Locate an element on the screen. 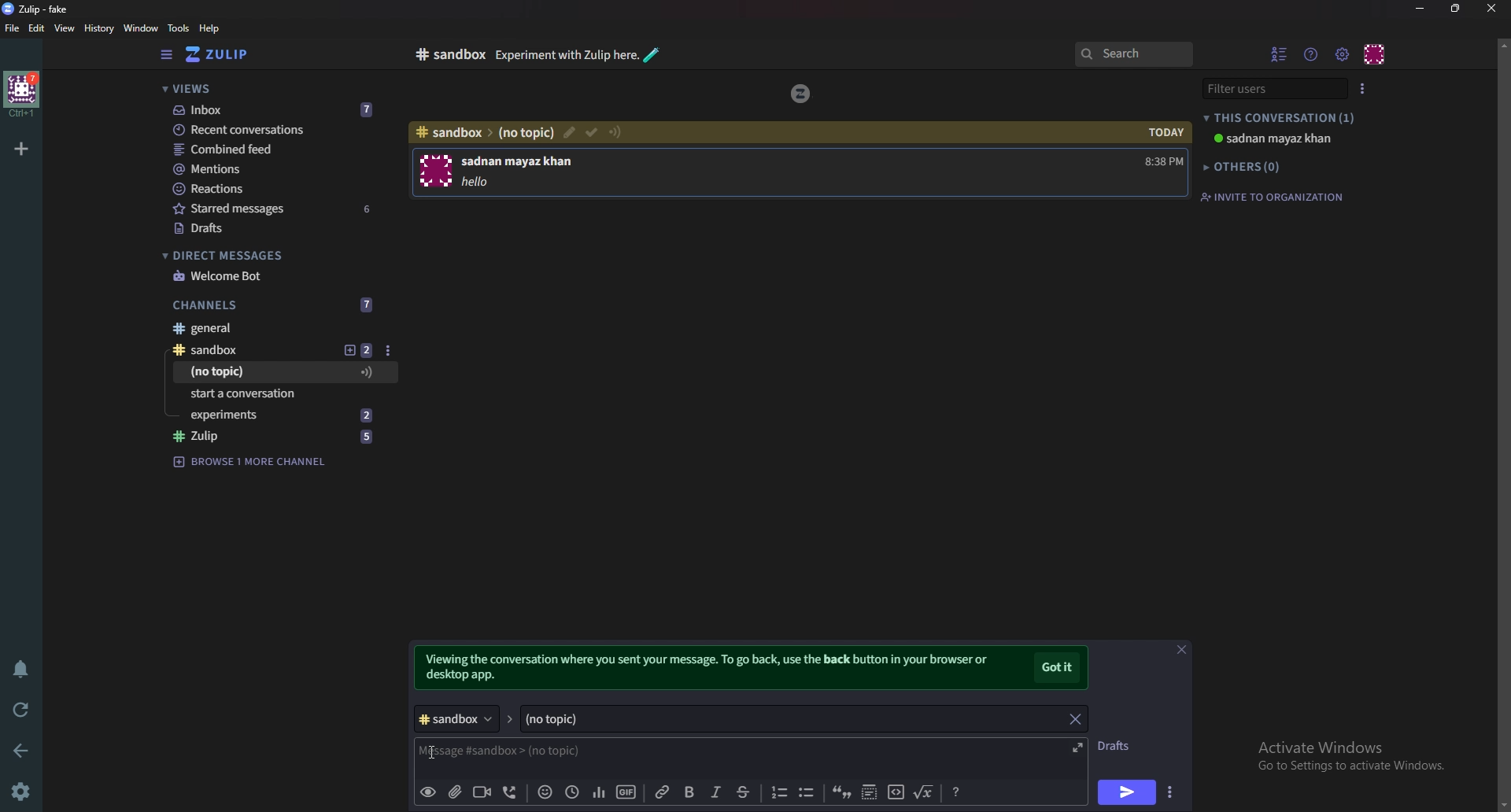  settings is located at coordinates (23, 792).